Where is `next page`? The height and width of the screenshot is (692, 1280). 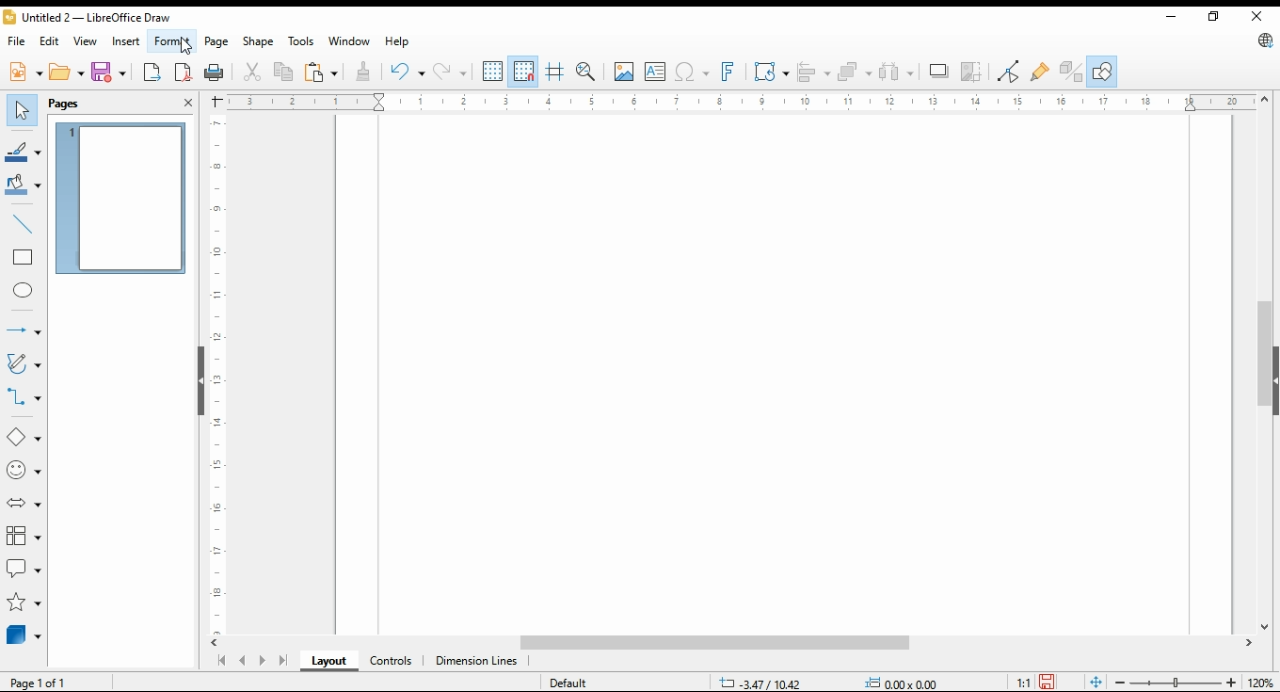
next page is located at coordinates (261, 661).